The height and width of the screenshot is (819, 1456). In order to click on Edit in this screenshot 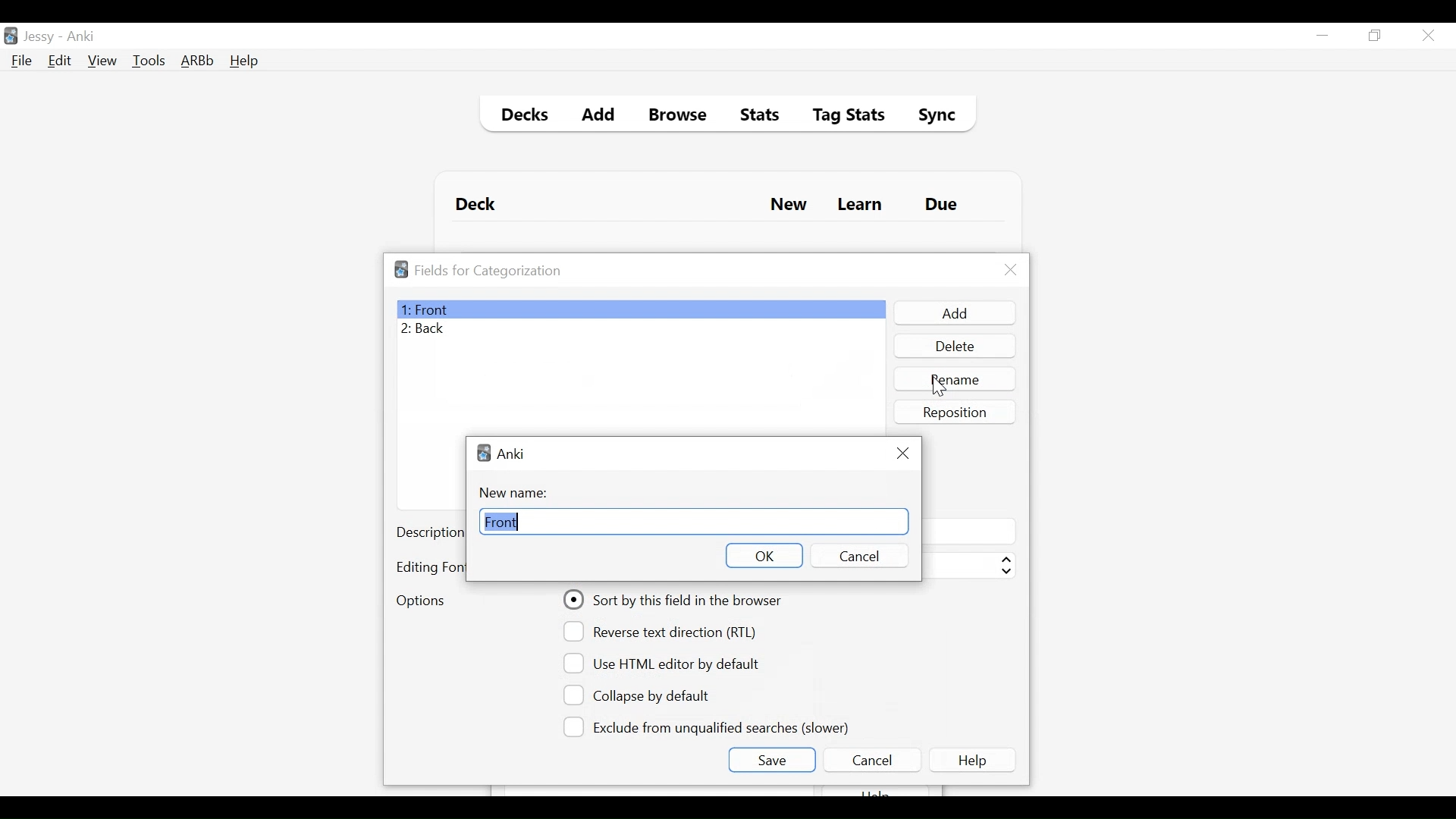, I will do `click(58, 62)`.